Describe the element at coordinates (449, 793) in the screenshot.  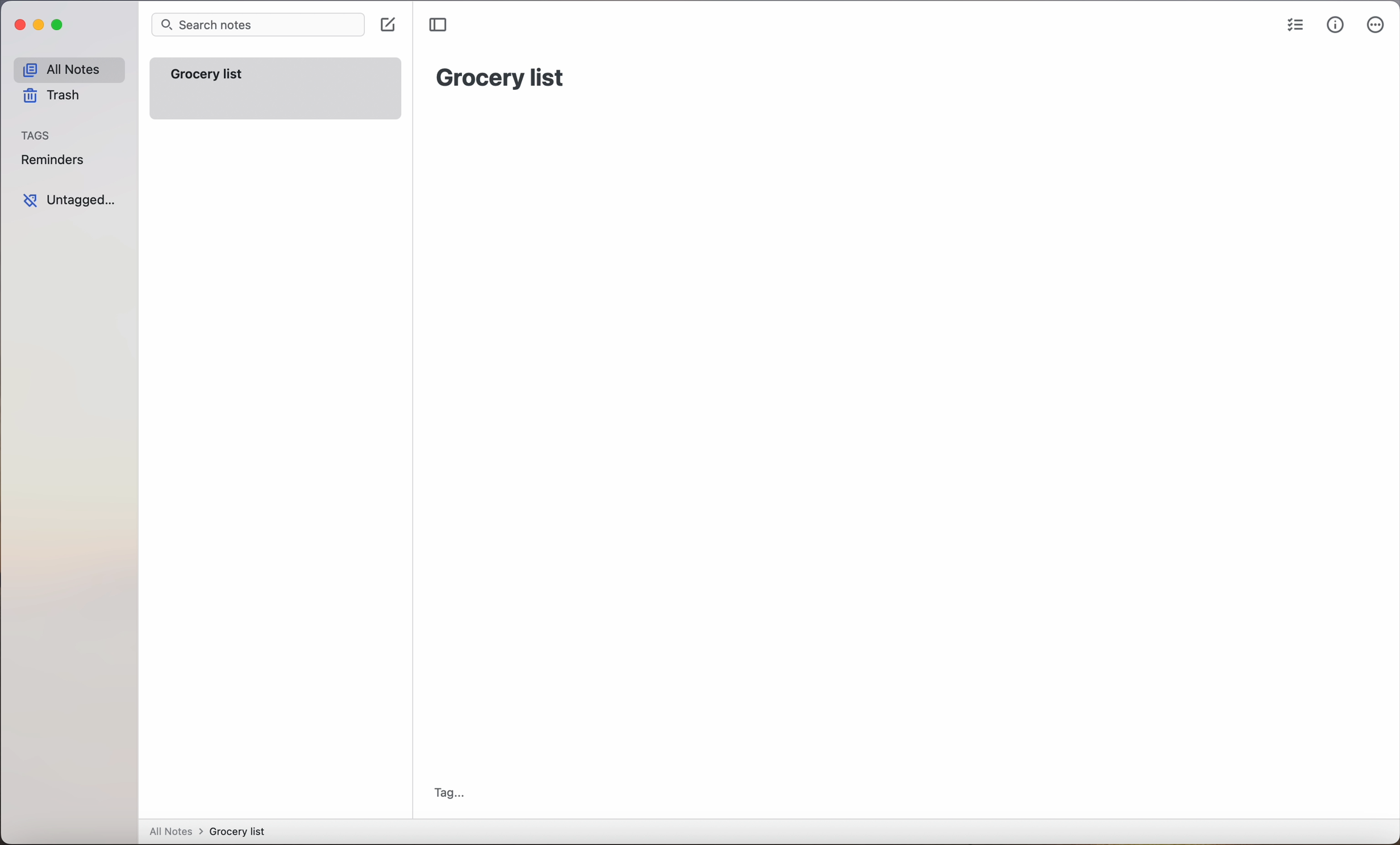
I see `tag` at that location.